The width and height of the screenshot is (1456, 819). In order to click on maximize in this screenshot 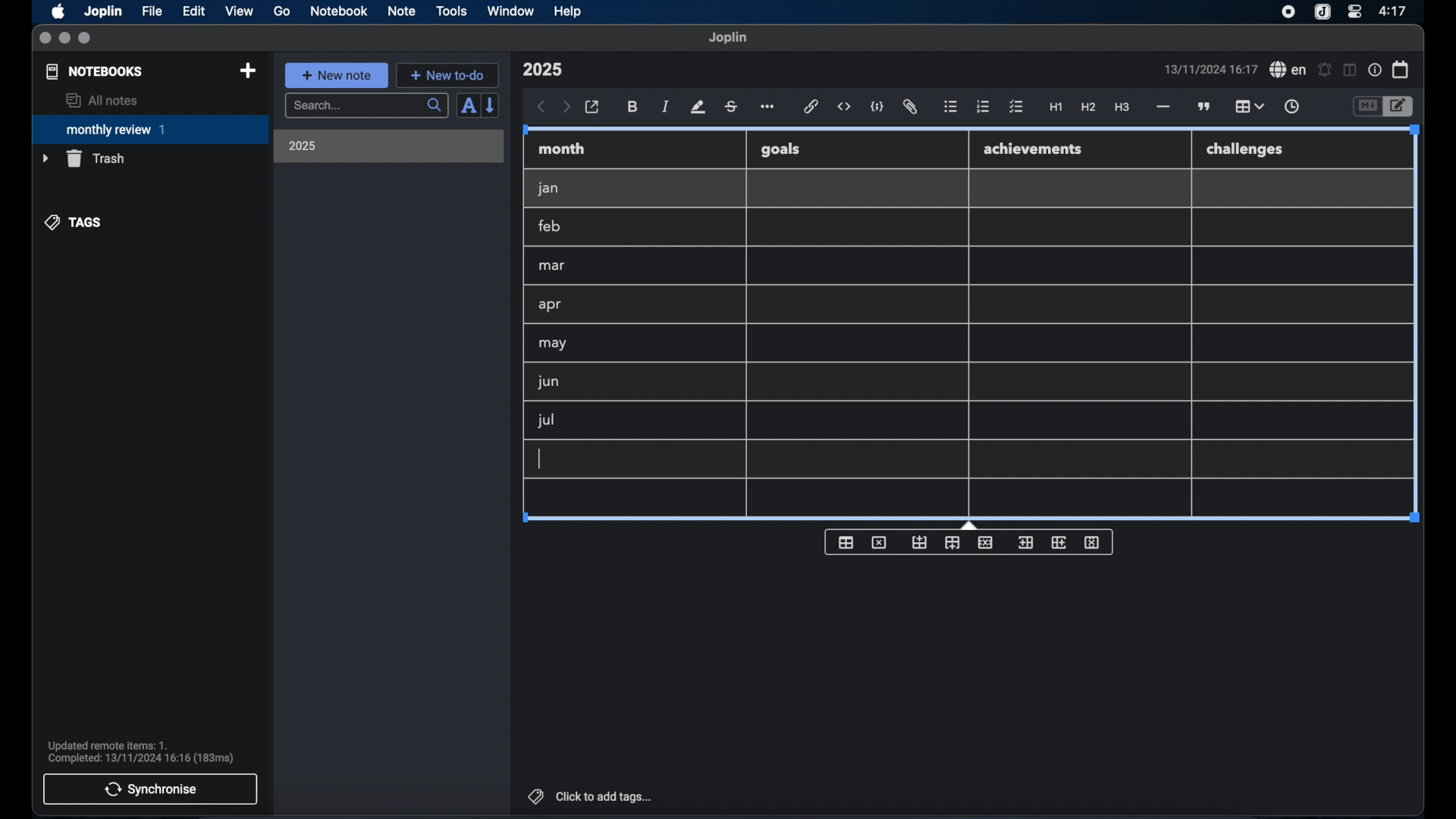, I will do `click(86, 39)`.